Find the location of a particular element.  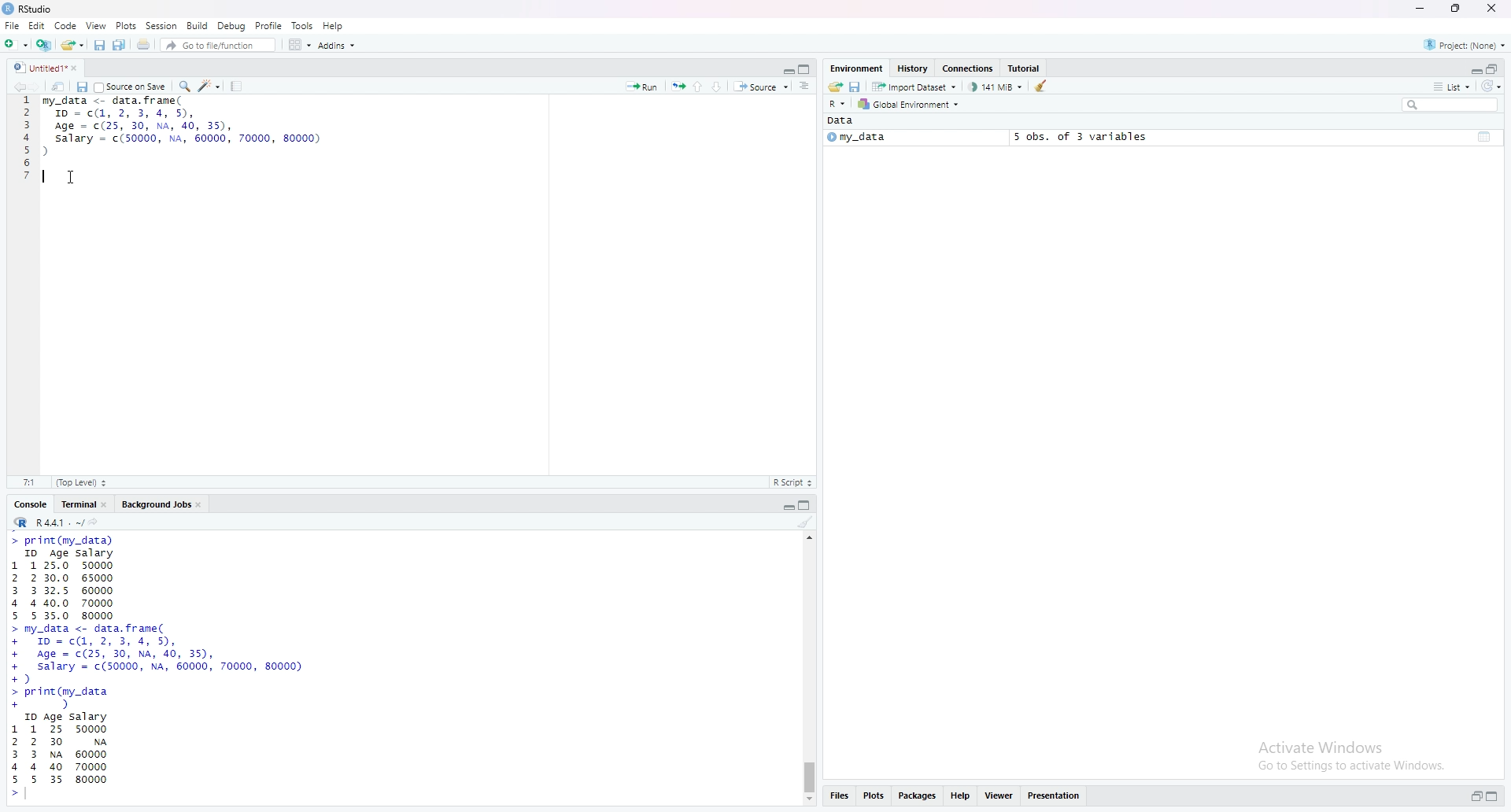

plots is located at coordinates (875, 795).